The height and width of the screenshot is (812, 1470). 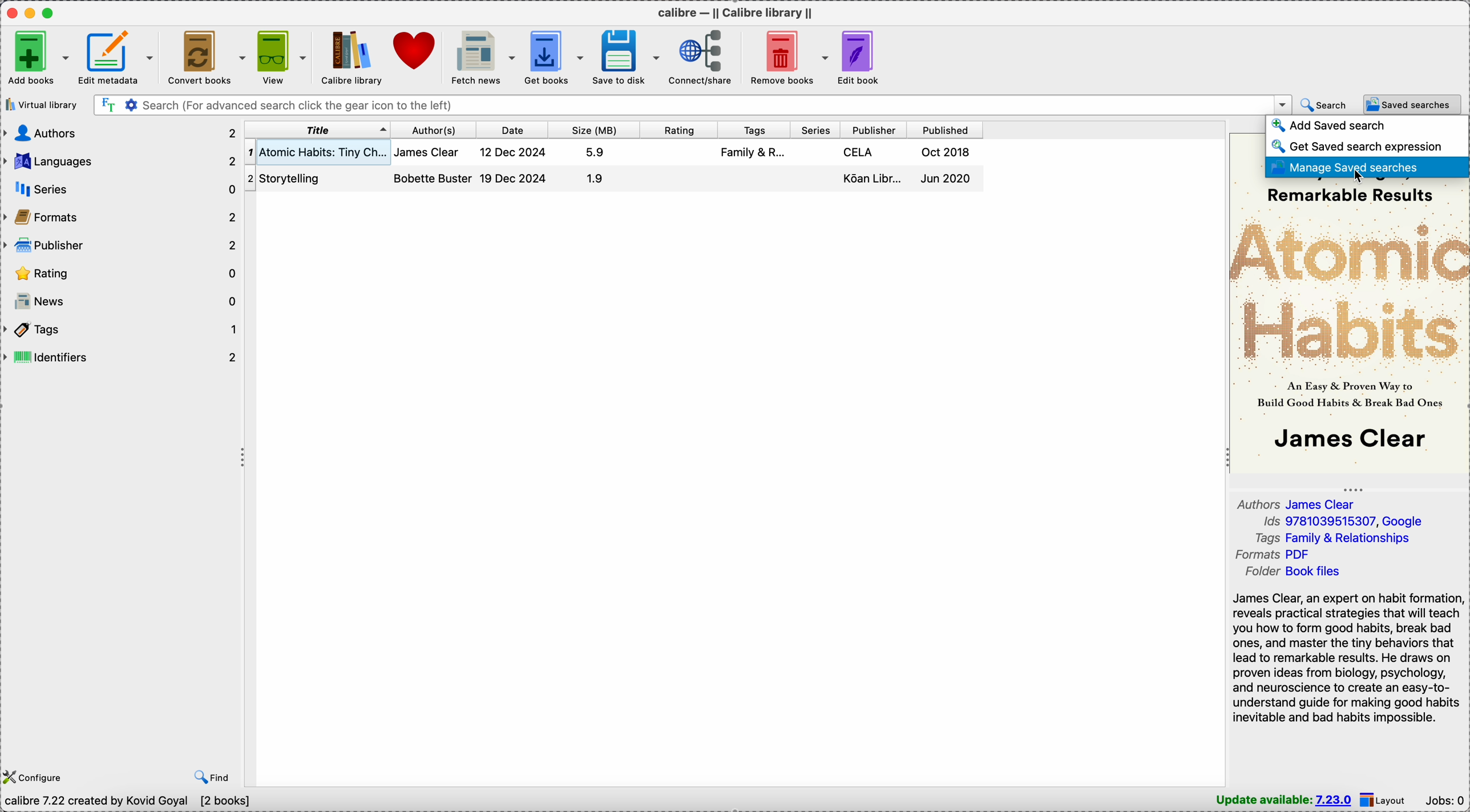 I want to click on get books, so click(x=555, y=56).